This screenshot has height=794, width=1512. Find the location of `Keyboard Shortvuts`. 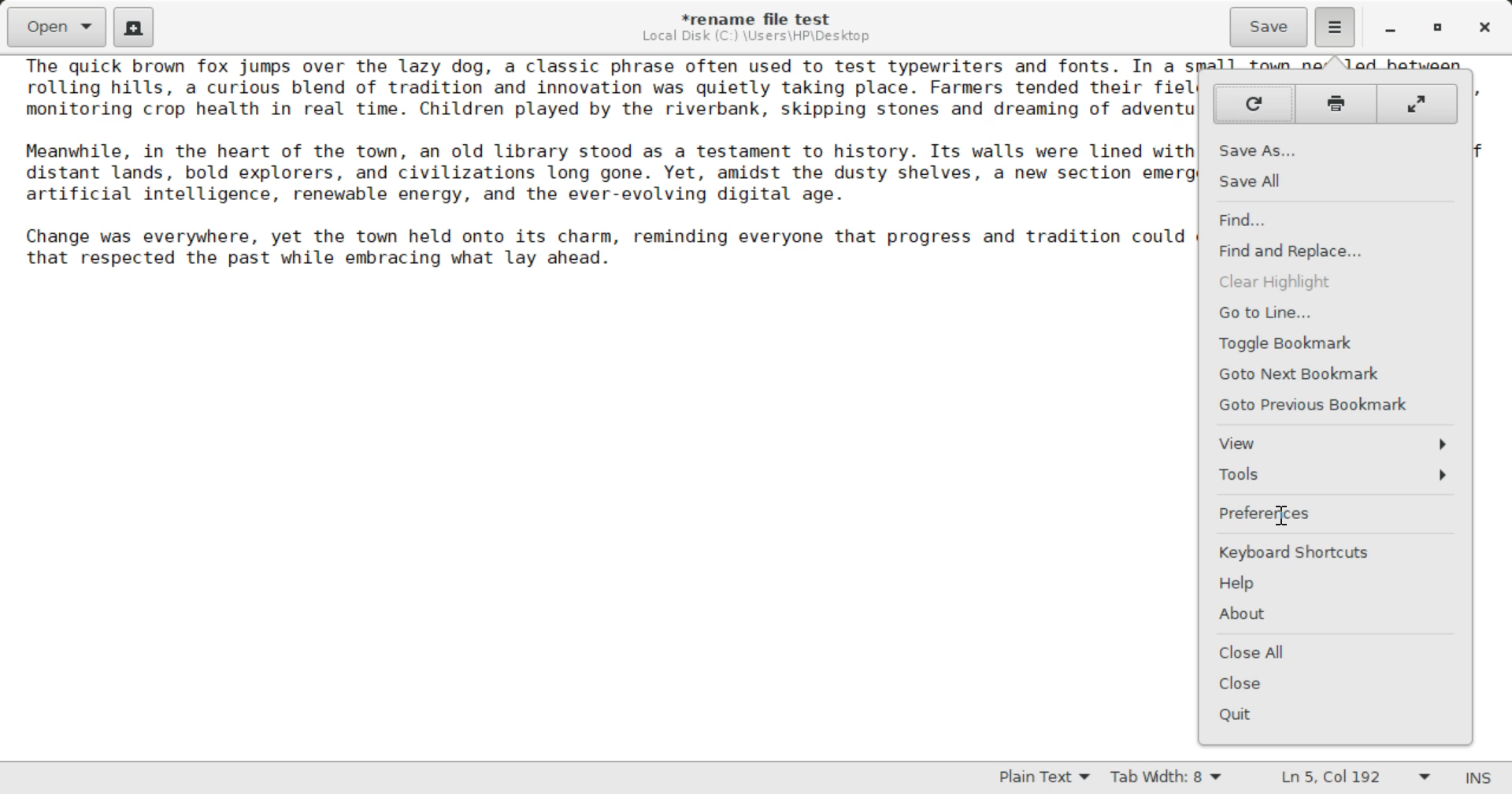

Keyboard Shortvuts is located at coordinates (1333, 551).